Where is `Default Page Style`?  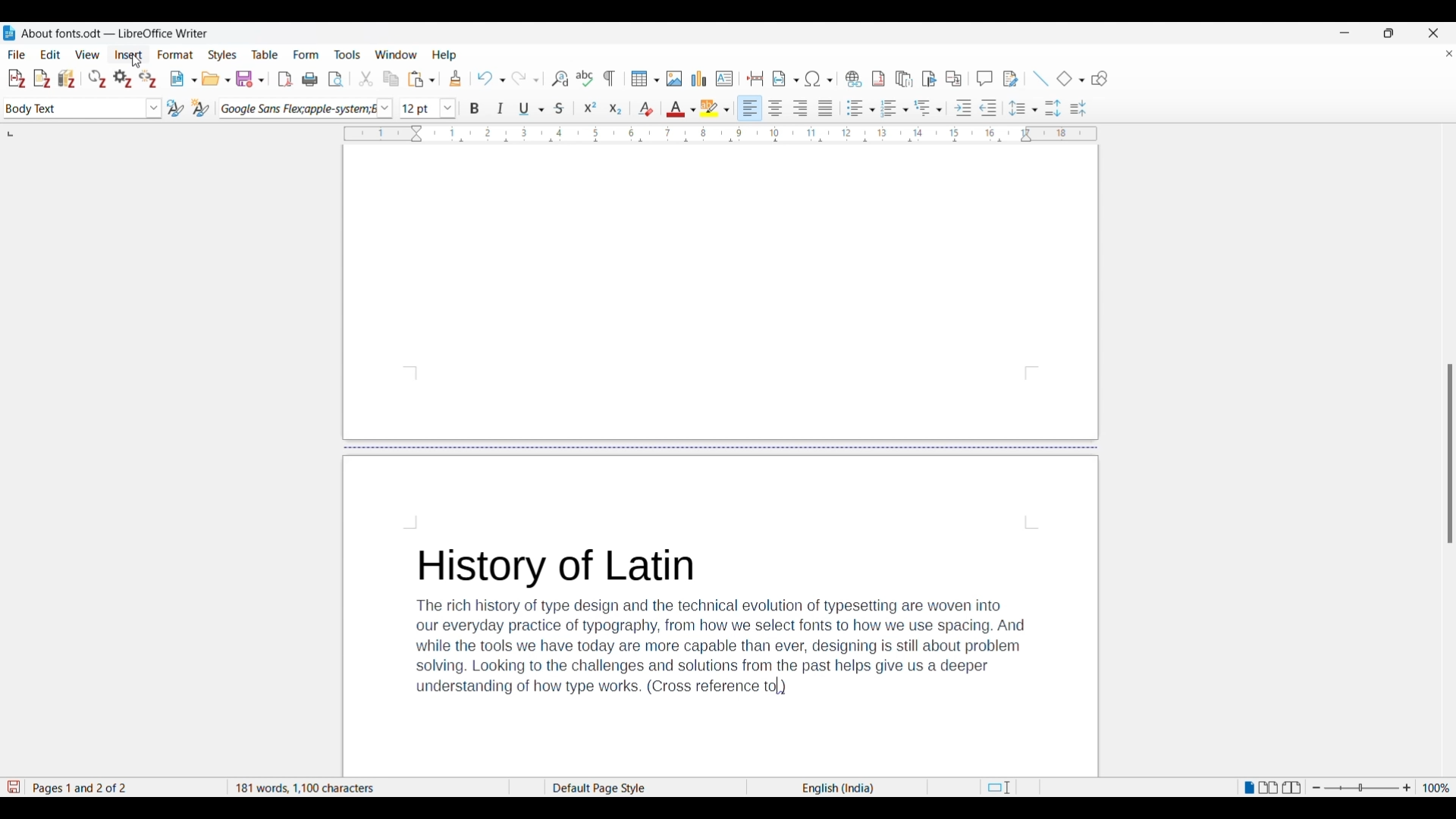
Default Page Style is located at coordinates (607, 786).